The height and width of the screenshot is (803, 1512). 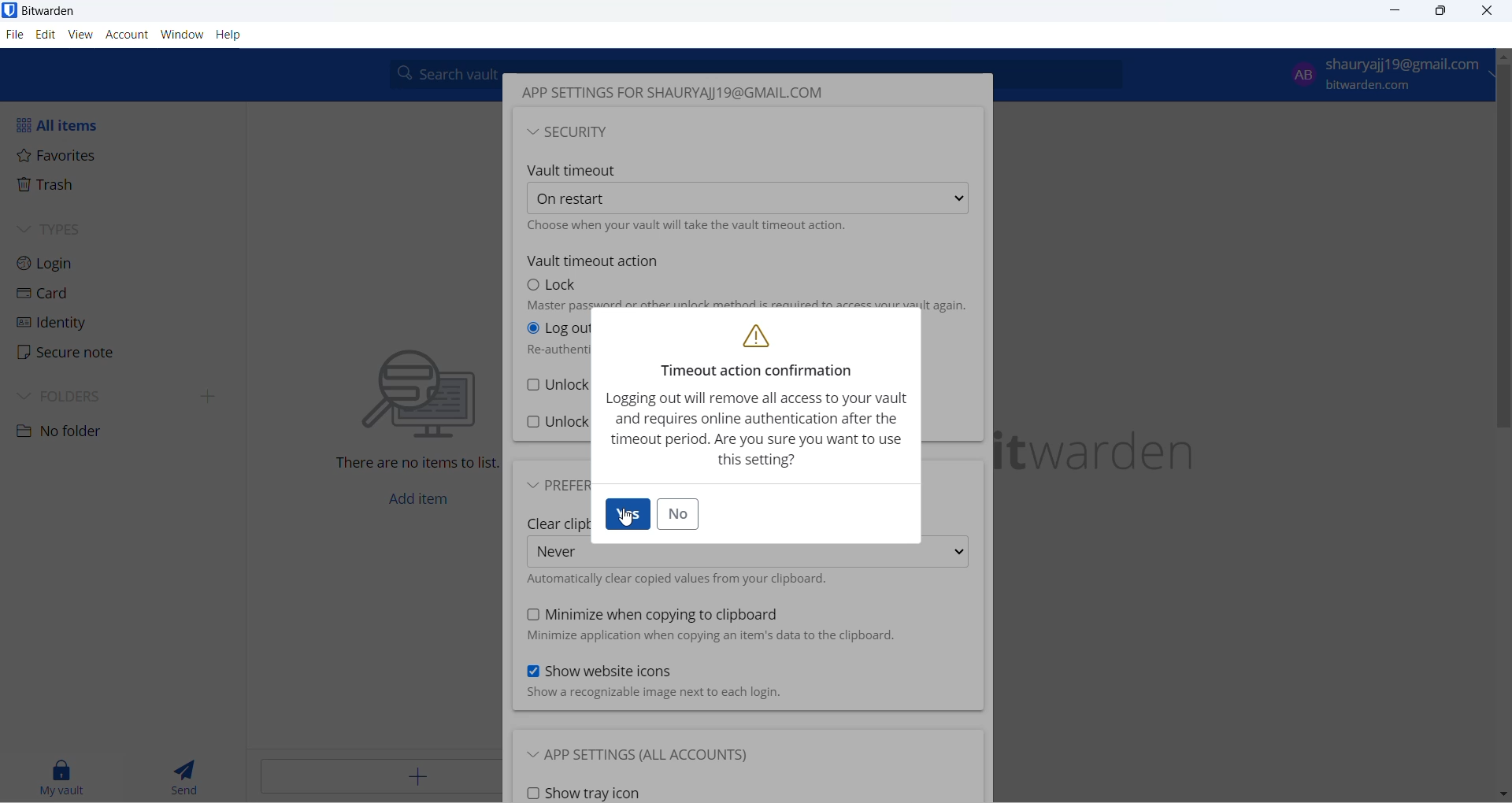 I want to click on Favorites, so click(x=62, y=157).